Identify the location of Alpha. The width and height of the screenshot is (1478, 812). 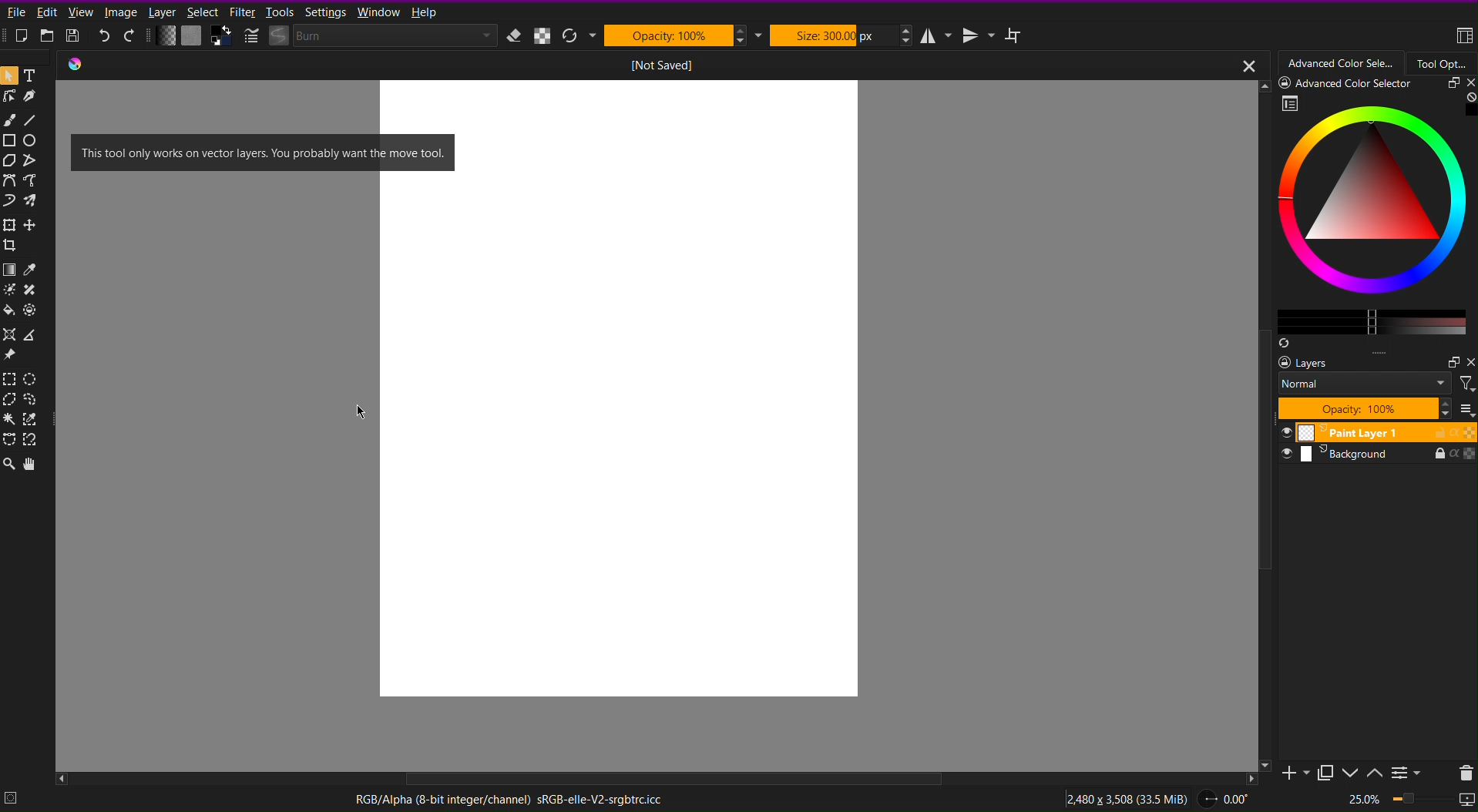
(542, 35).